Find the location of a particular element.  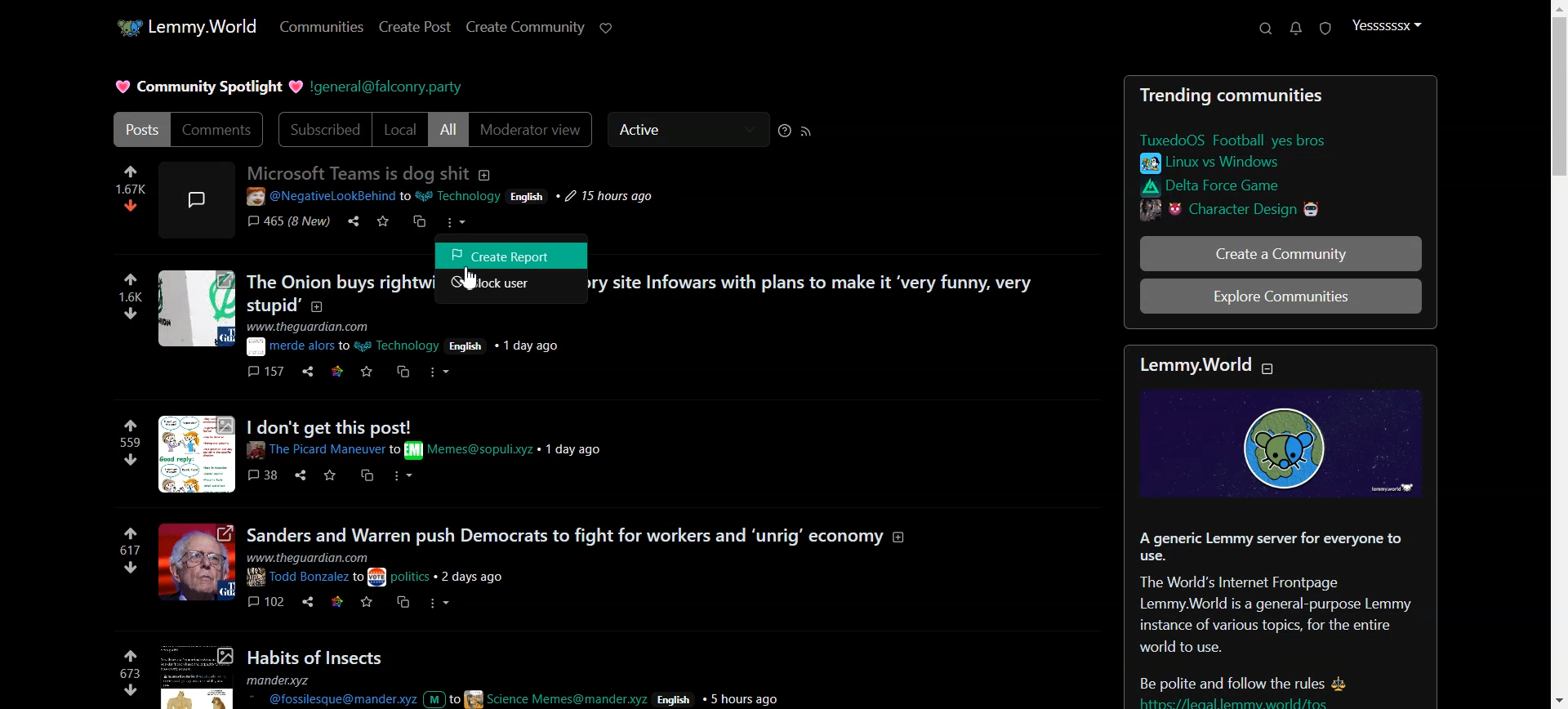

Profile is located at coordinates (1387, 25).